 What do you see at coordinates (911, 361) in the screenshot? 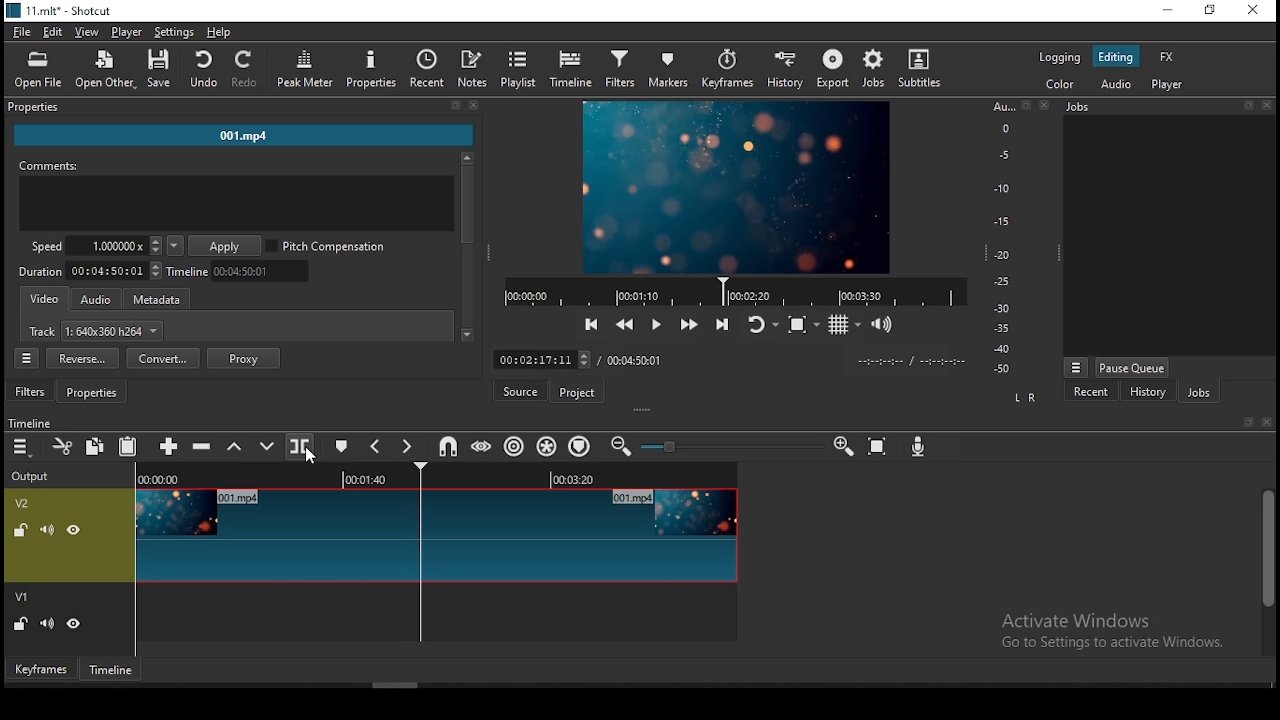
I see `TIME` at bounding box center [911, 361].